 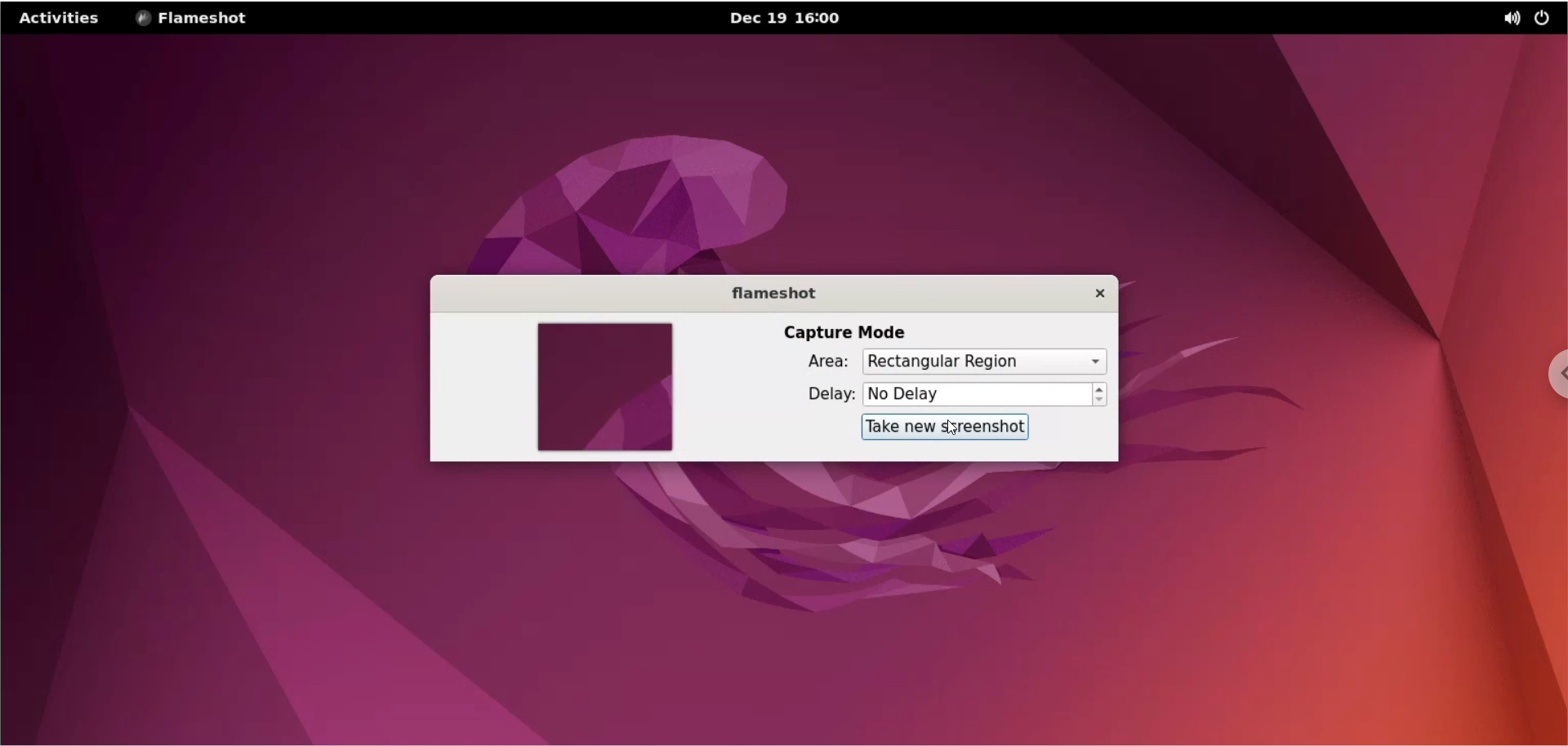 I want to click on cursor, so click(x=947, y=428).